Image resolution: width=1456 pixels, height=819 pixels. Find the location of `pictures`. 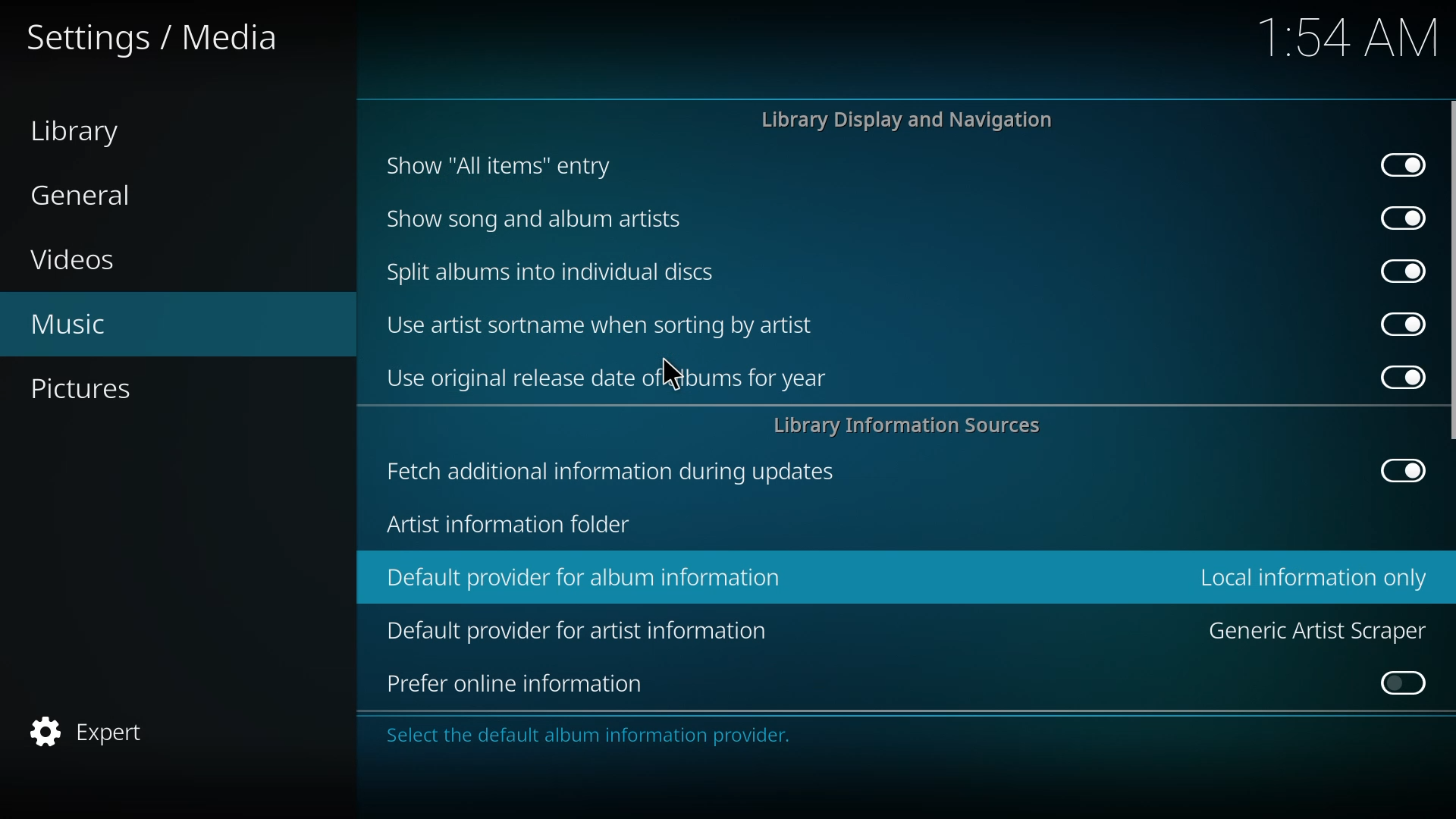

pictures is located at coordinates (83, 391).